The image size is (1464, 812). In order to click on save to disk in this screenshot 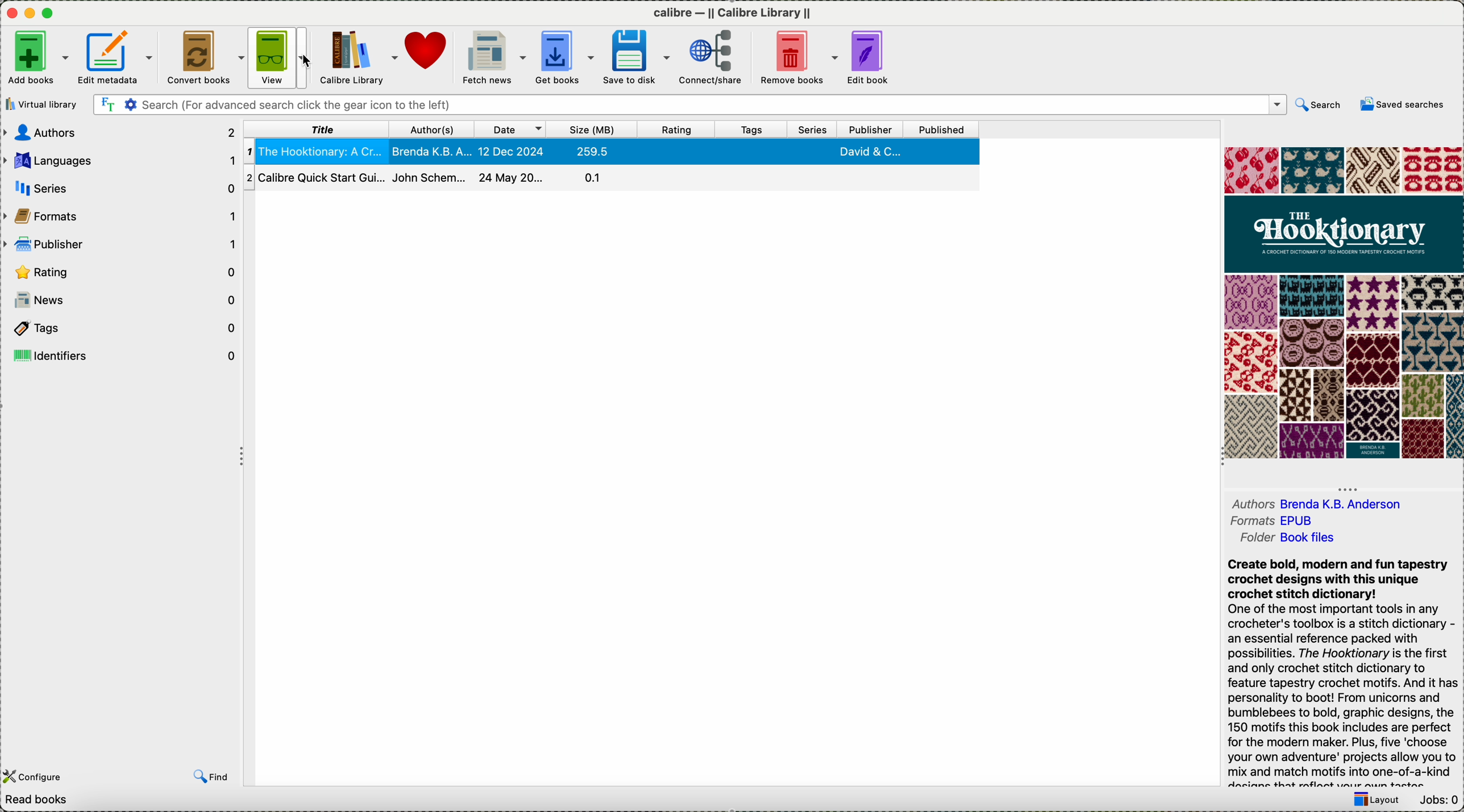, I will do `click(636, 56)`.